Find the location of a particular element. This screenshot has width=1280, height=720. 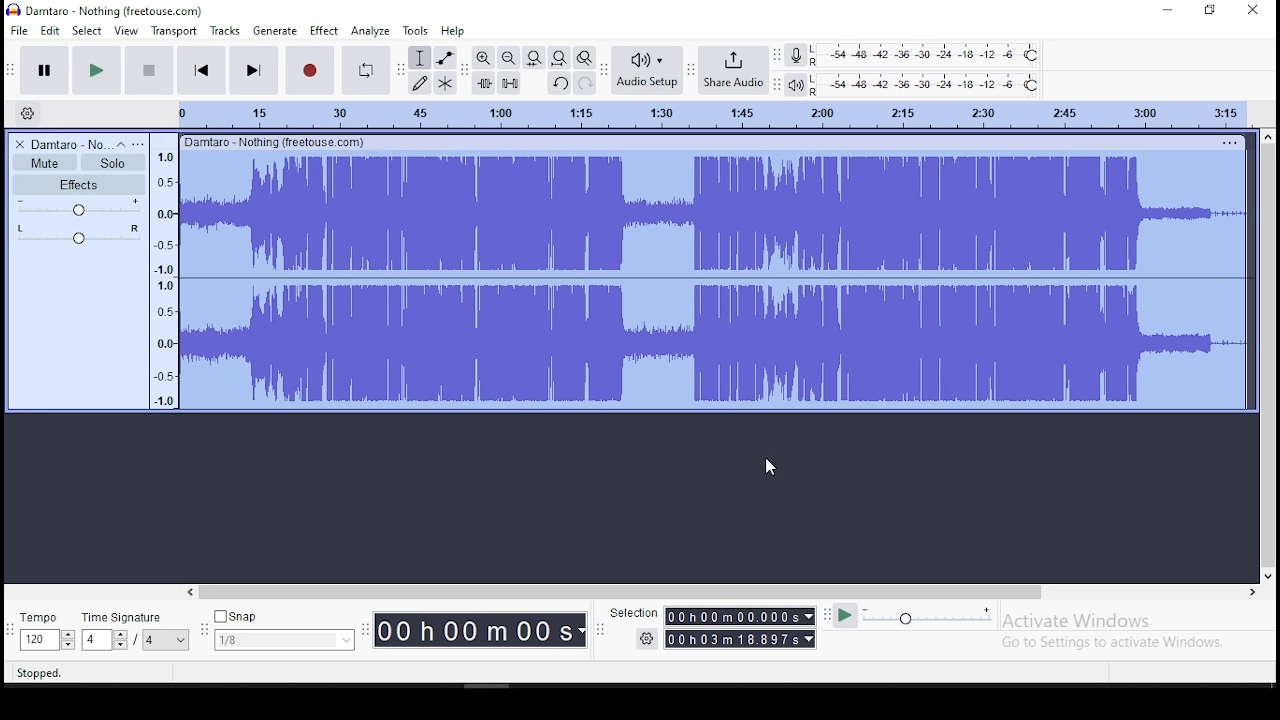

enable looping is located at coordinates (366, 71).